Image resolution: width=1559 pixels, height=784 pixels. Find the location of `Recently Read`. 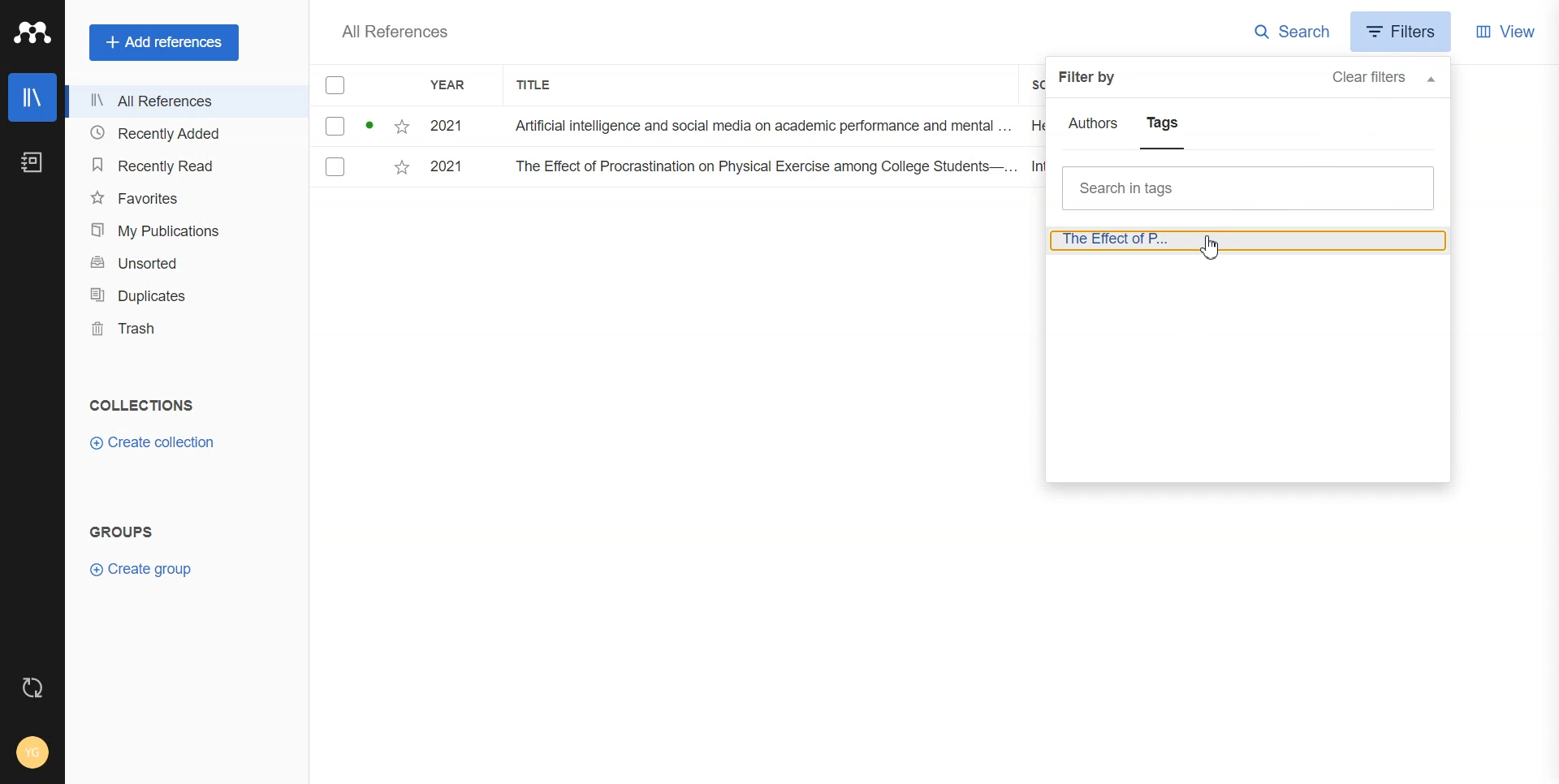

Recently Read is located at coordinates (175, 164).